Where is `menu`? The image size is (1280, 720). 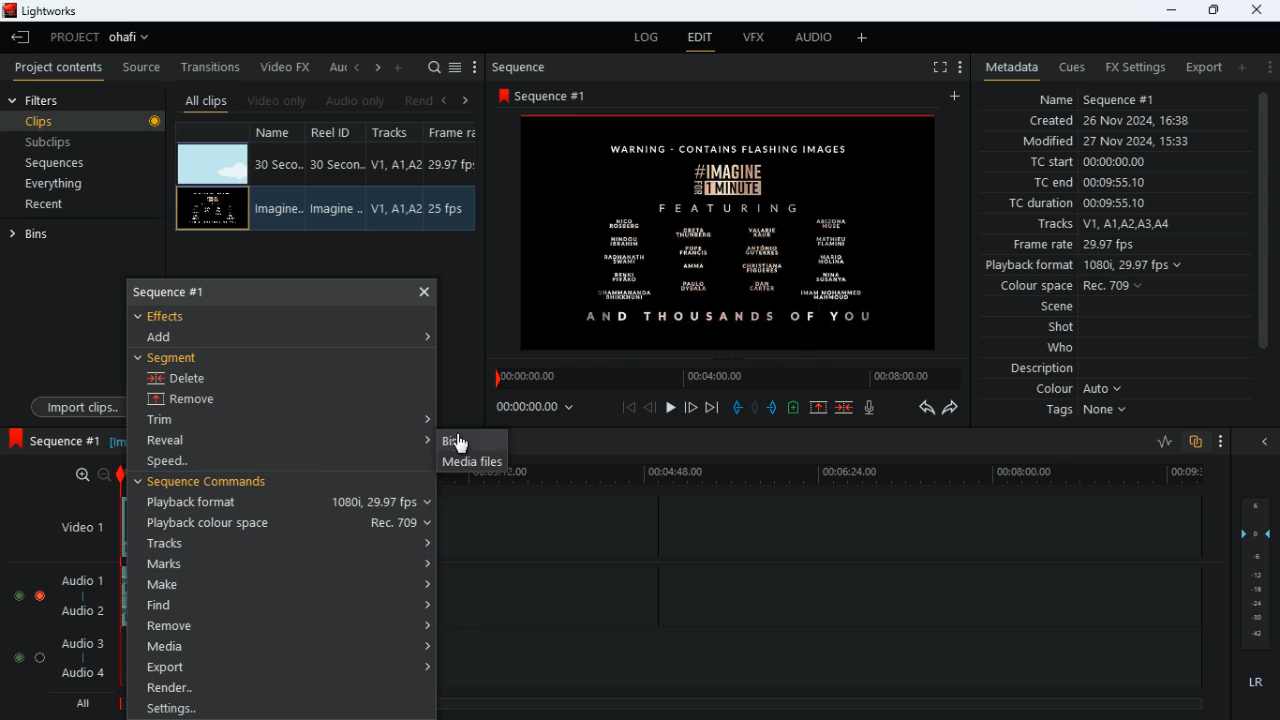 menu is located at coordinates (457, 65).